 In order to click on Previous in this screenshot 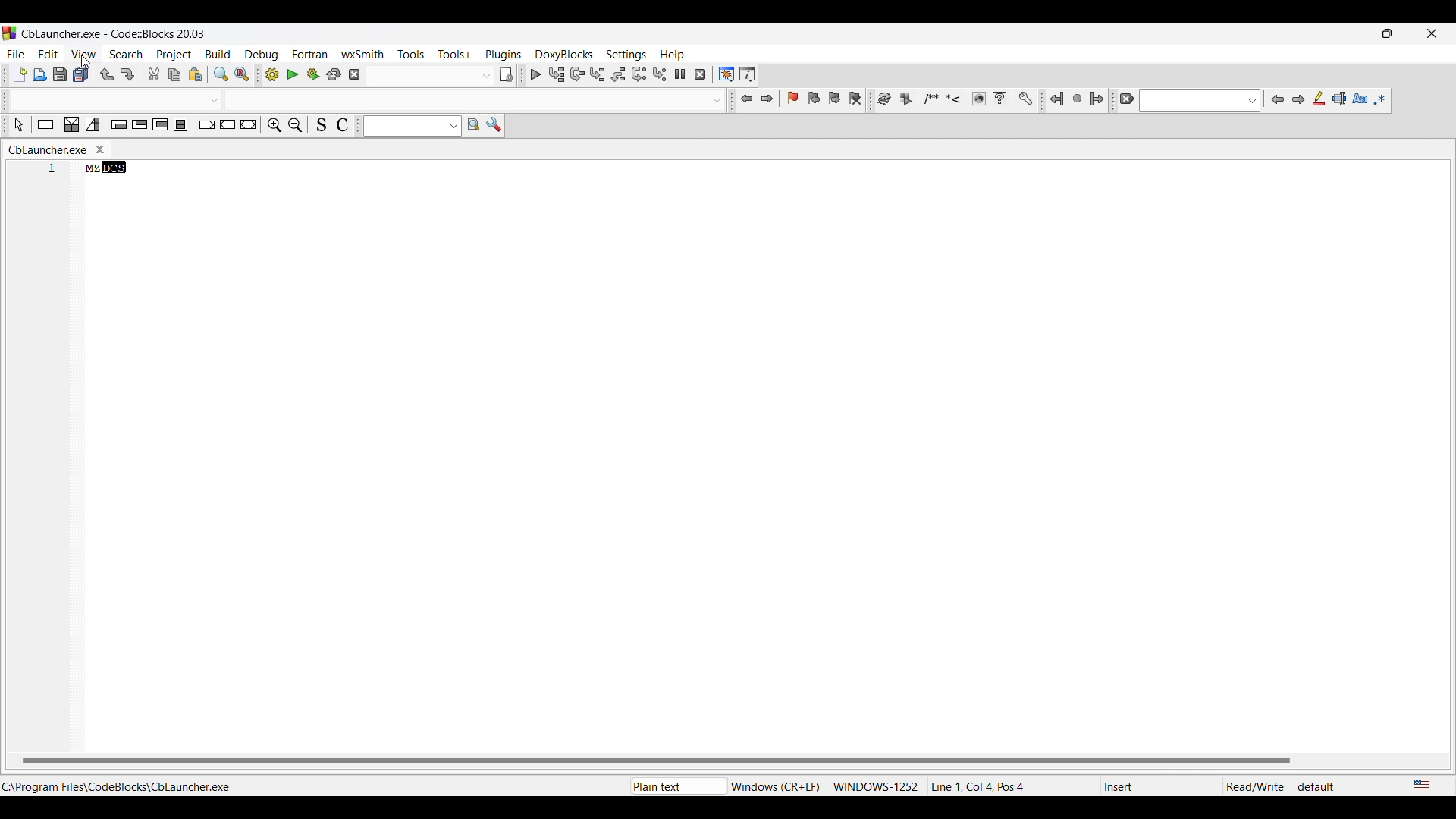, I will do `click(1278, 99)`.